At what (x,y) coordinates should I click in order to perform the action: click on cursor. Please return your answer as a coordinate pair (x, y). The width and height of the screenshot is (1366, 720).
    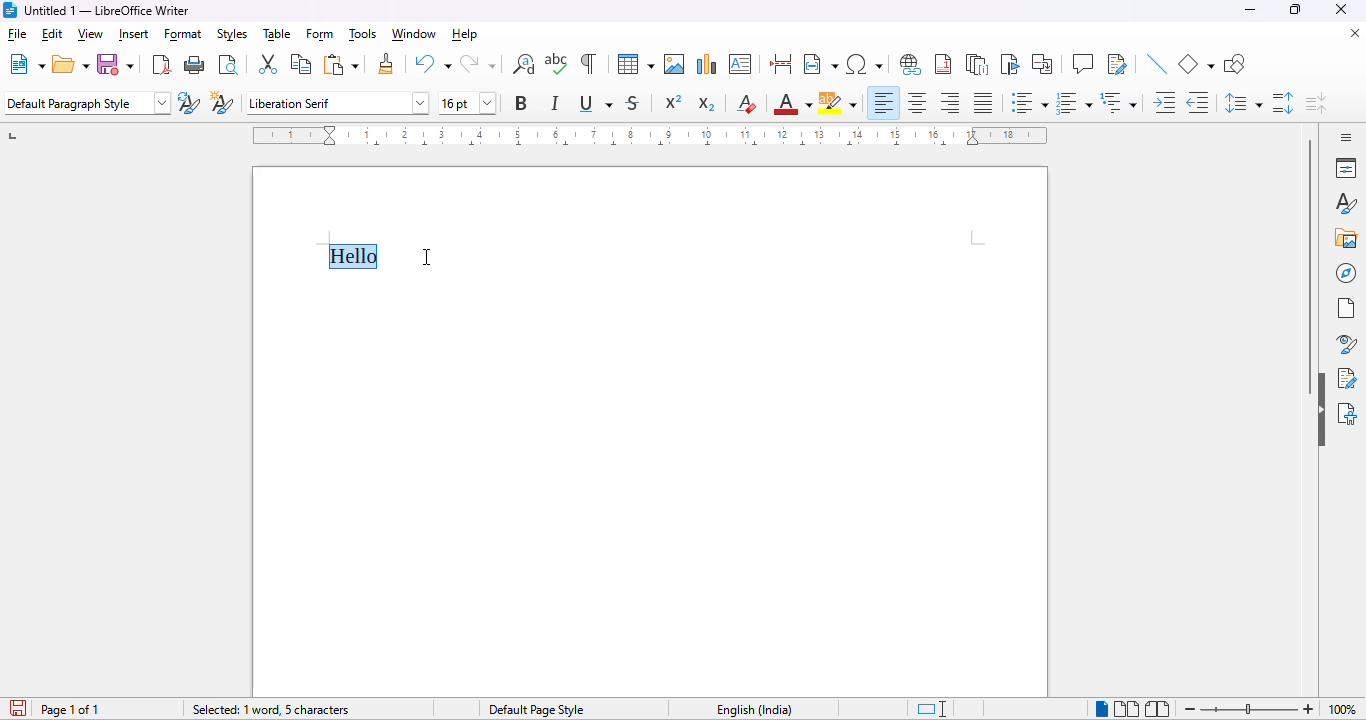
    Looking at the image, I should click on (427, 257).